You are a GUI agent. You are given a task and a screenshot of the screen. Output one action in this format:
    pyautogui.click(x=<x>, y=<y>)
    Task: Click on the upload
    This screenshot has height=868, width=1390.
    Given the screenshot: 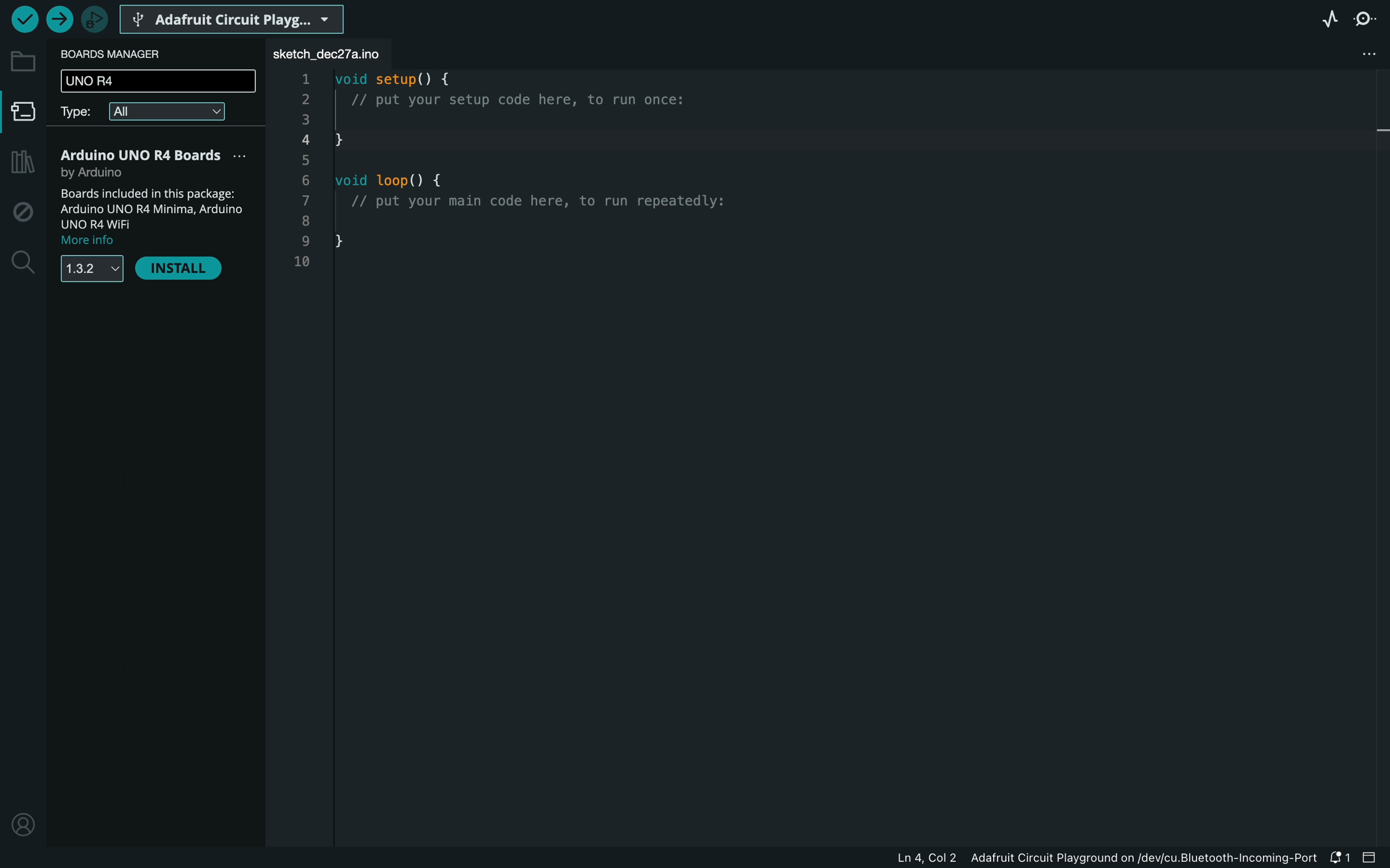 What is the action you would take?
    pyautogui.click(x=60, y=20)
    